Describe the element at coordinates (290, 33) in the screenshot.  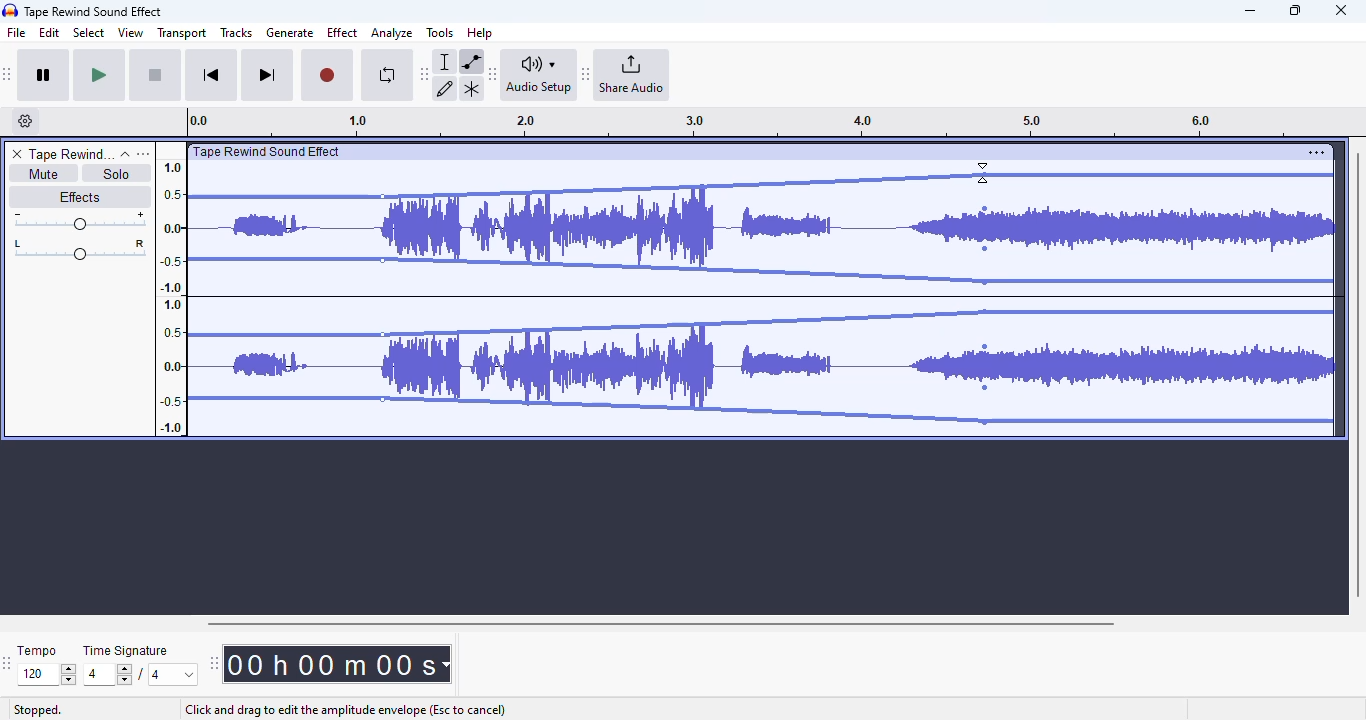
I see `generate` at that location.